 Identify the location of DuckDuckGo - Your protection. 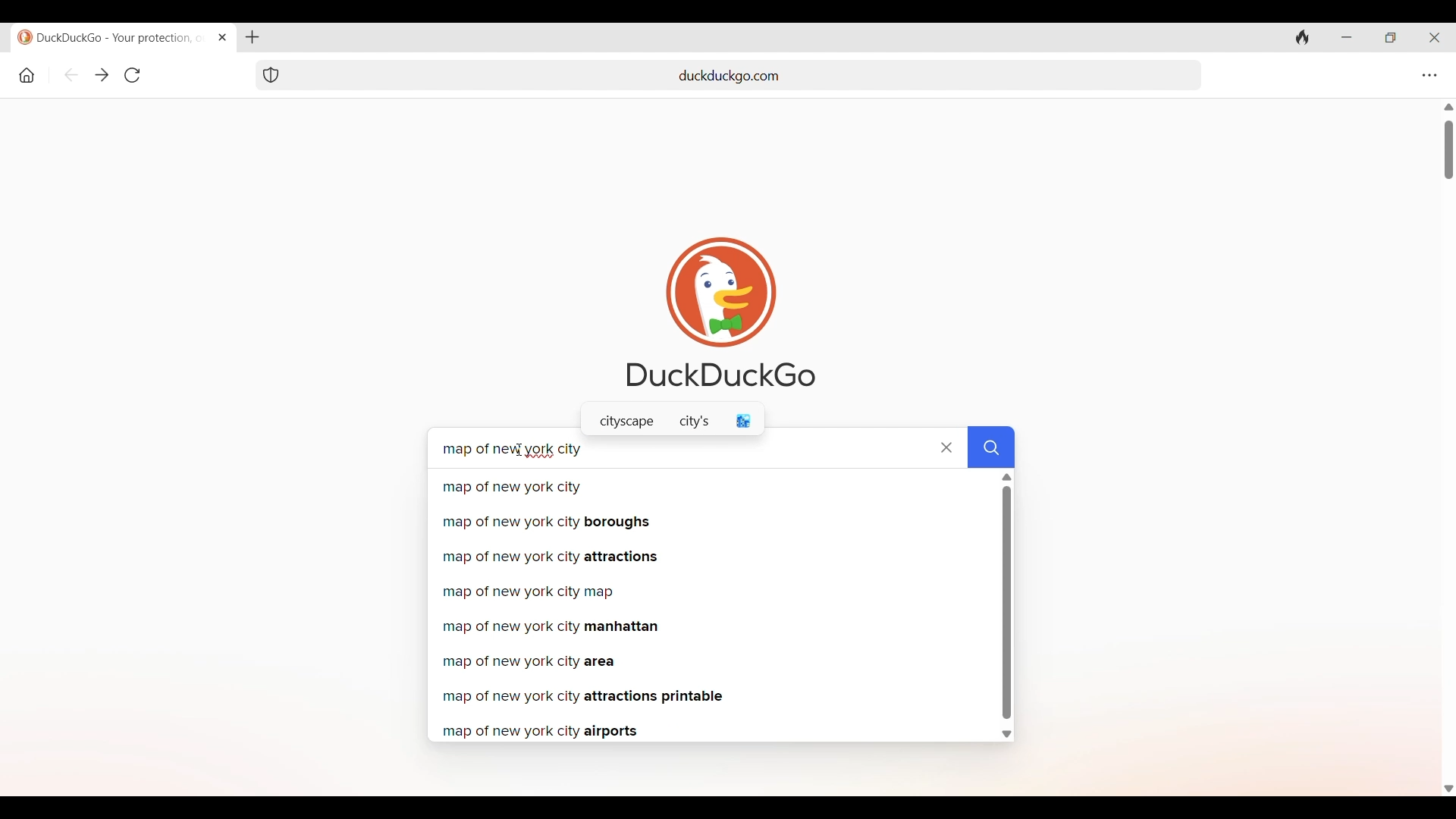
(112, 36).